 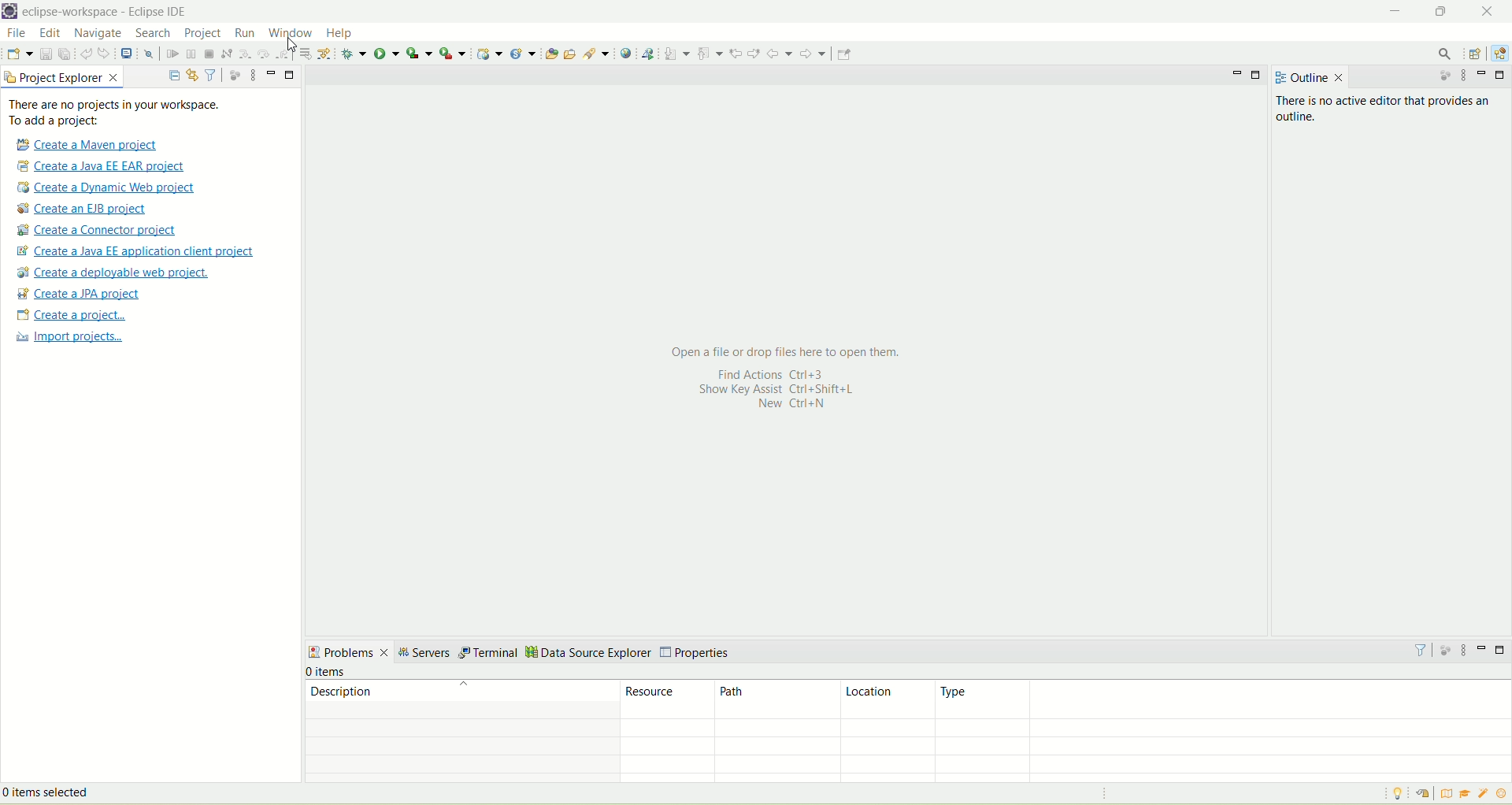 I want to click on items selected, so click(x=70, y=791).